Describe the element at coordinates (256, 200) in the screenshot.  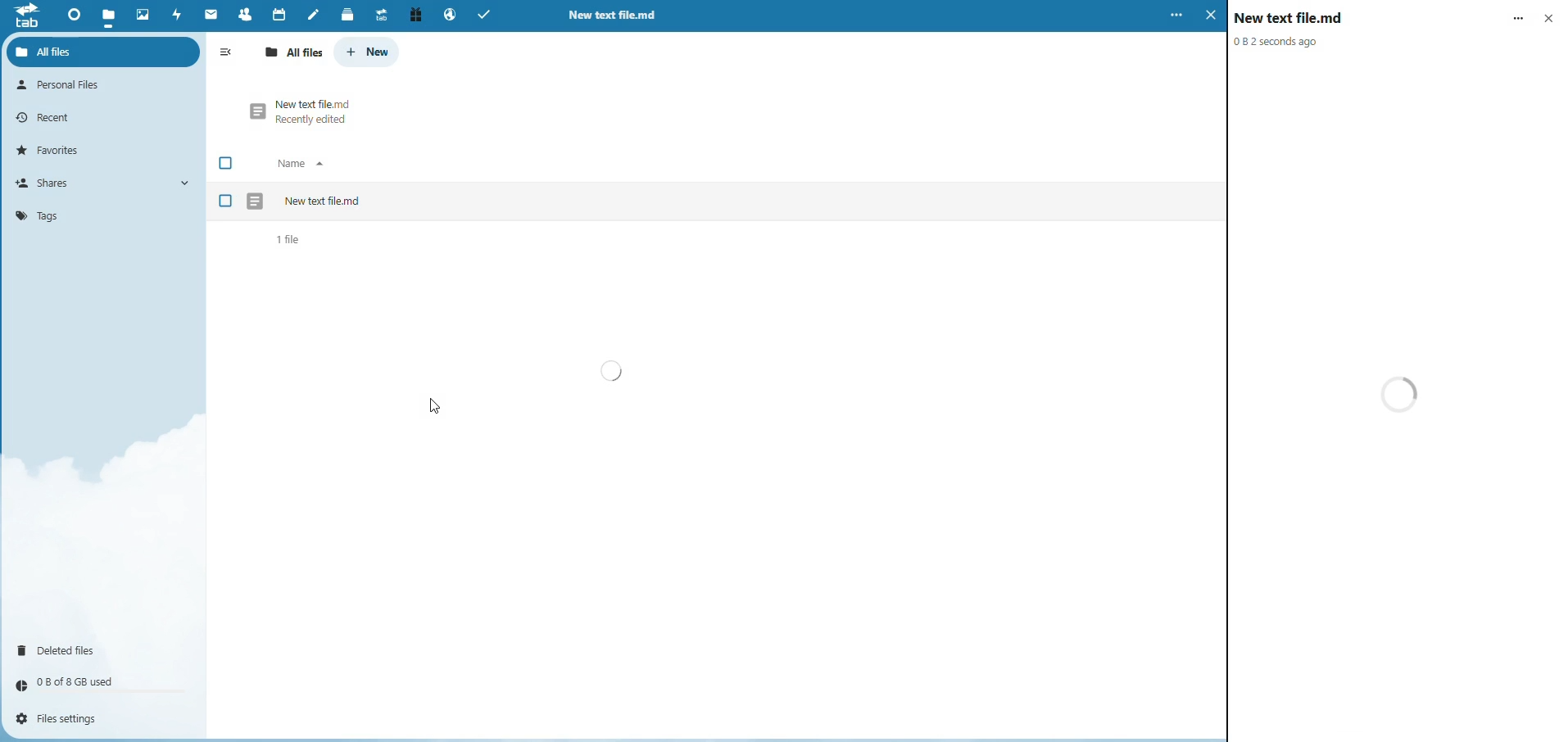
I see `new text file logo` at that location.